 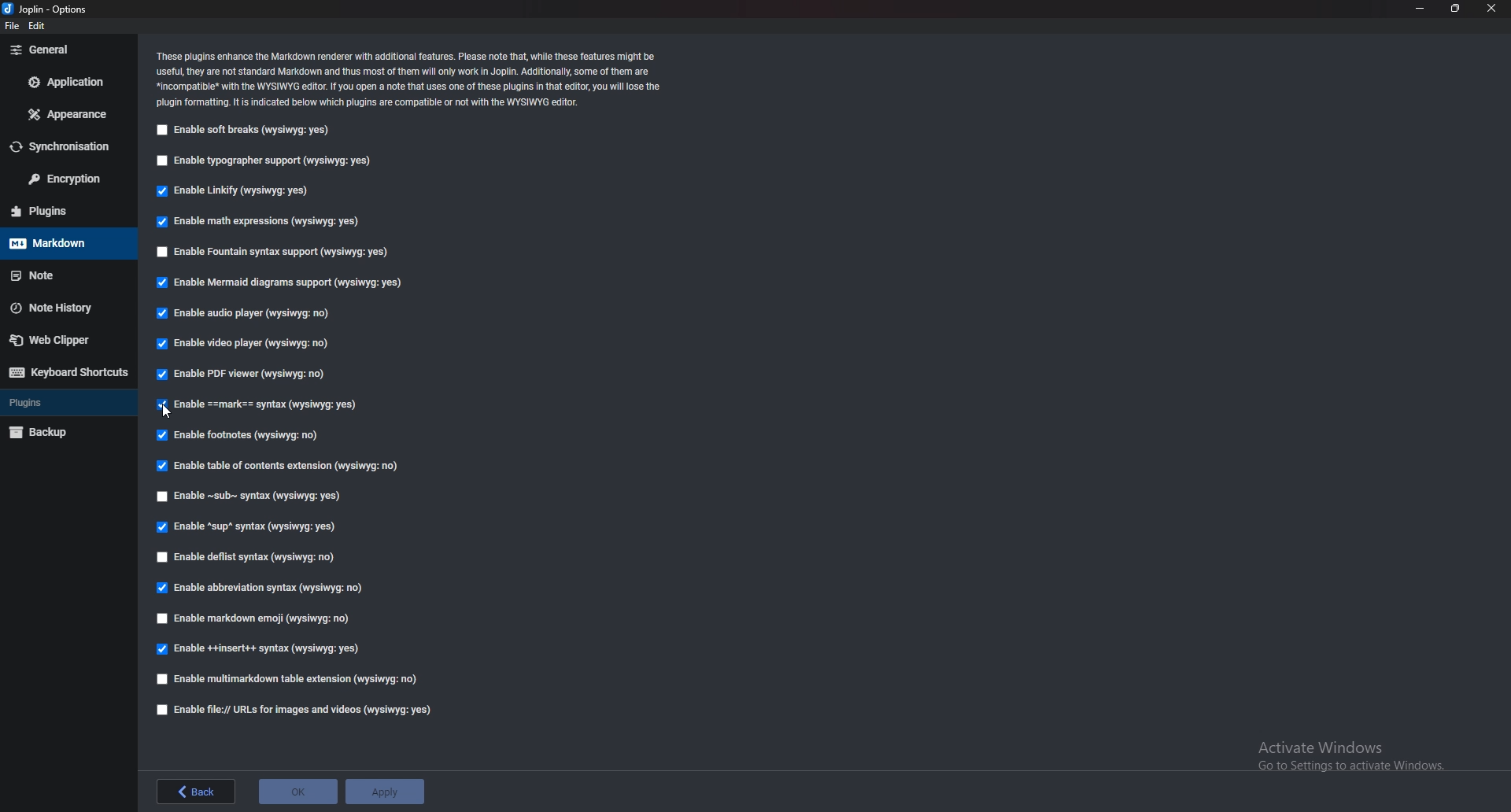 I want to click on Web clipper, so click(x=62, y=341).